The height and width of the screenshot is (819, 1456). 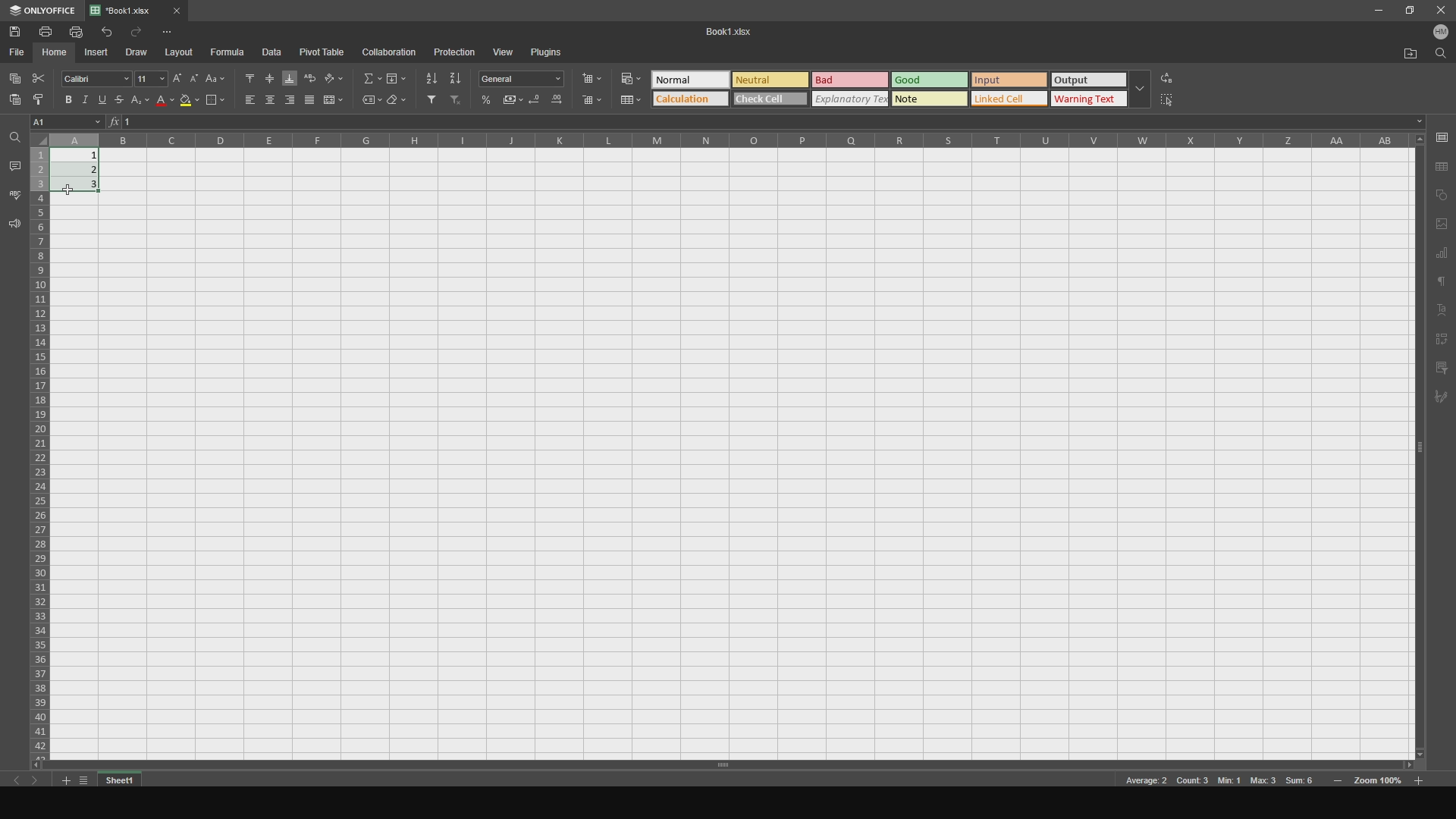 I want to click on , so click(x=525, y=79).